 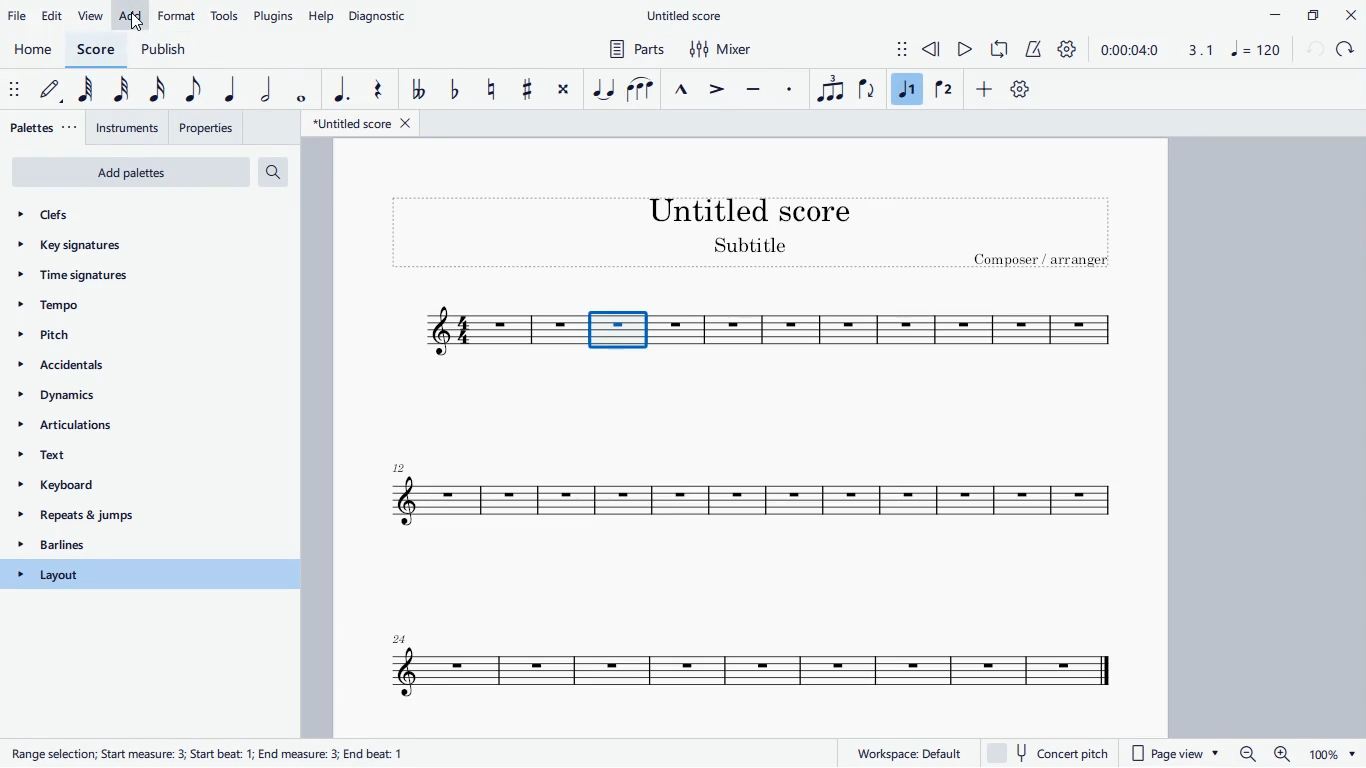 What do you see at coordinates (383, 13) in the screenshot?
I see `diagnostic` at bounding box center [383, 13].